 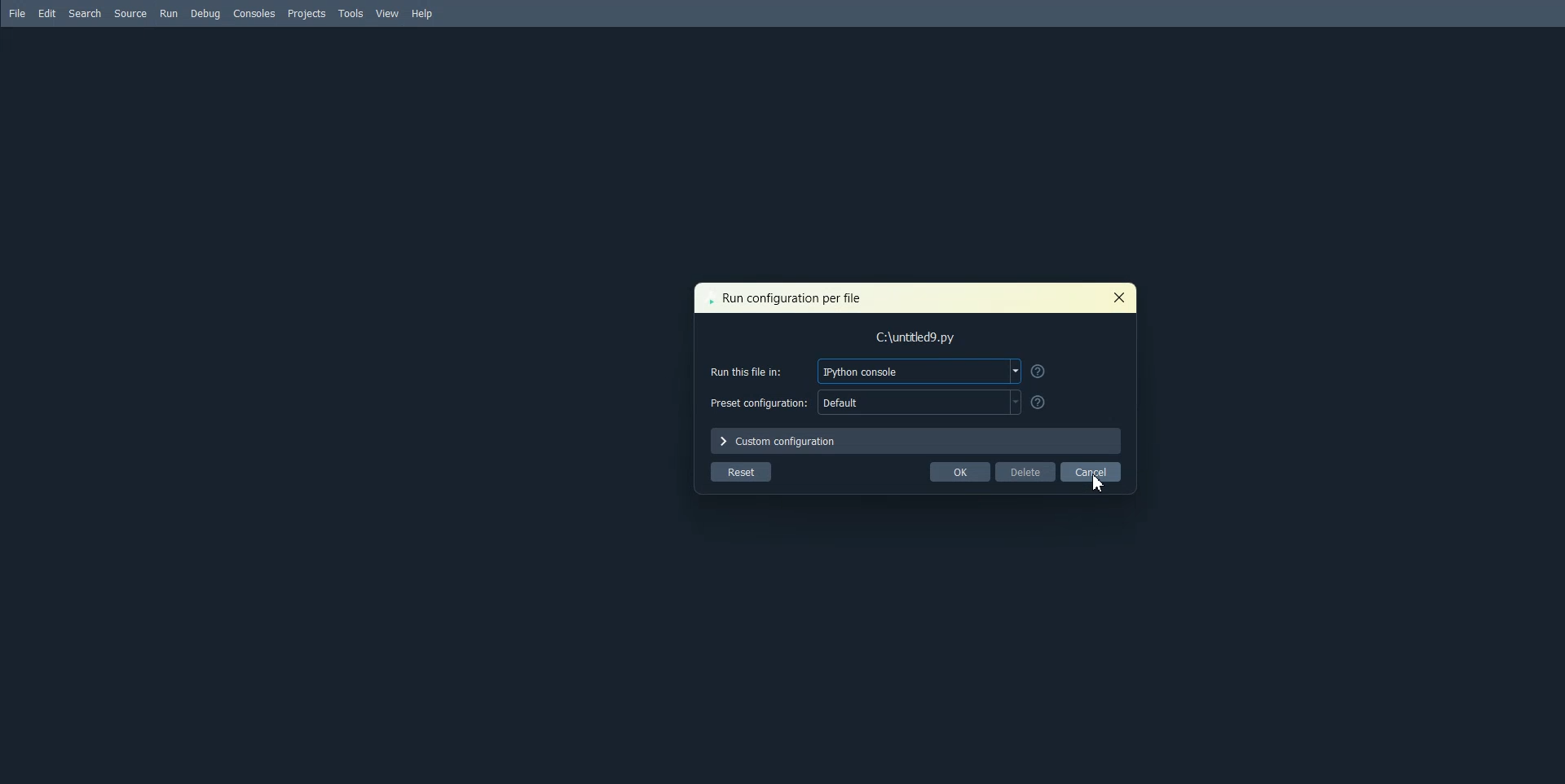 I want to click on File, so click(x=19, y=14).